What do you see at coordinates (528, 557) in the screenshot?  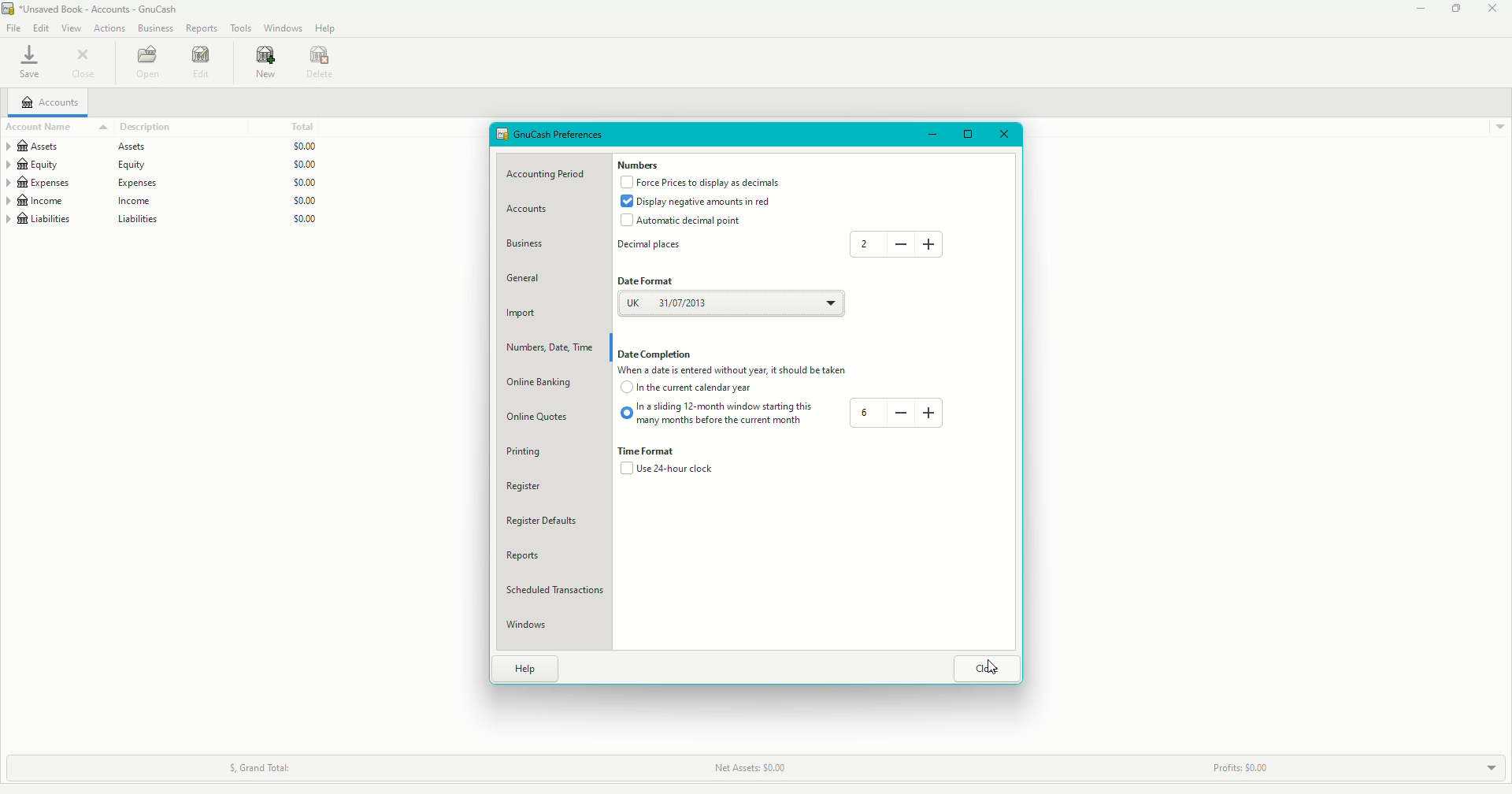 I see `Reports` at bounding box center [528, 557].